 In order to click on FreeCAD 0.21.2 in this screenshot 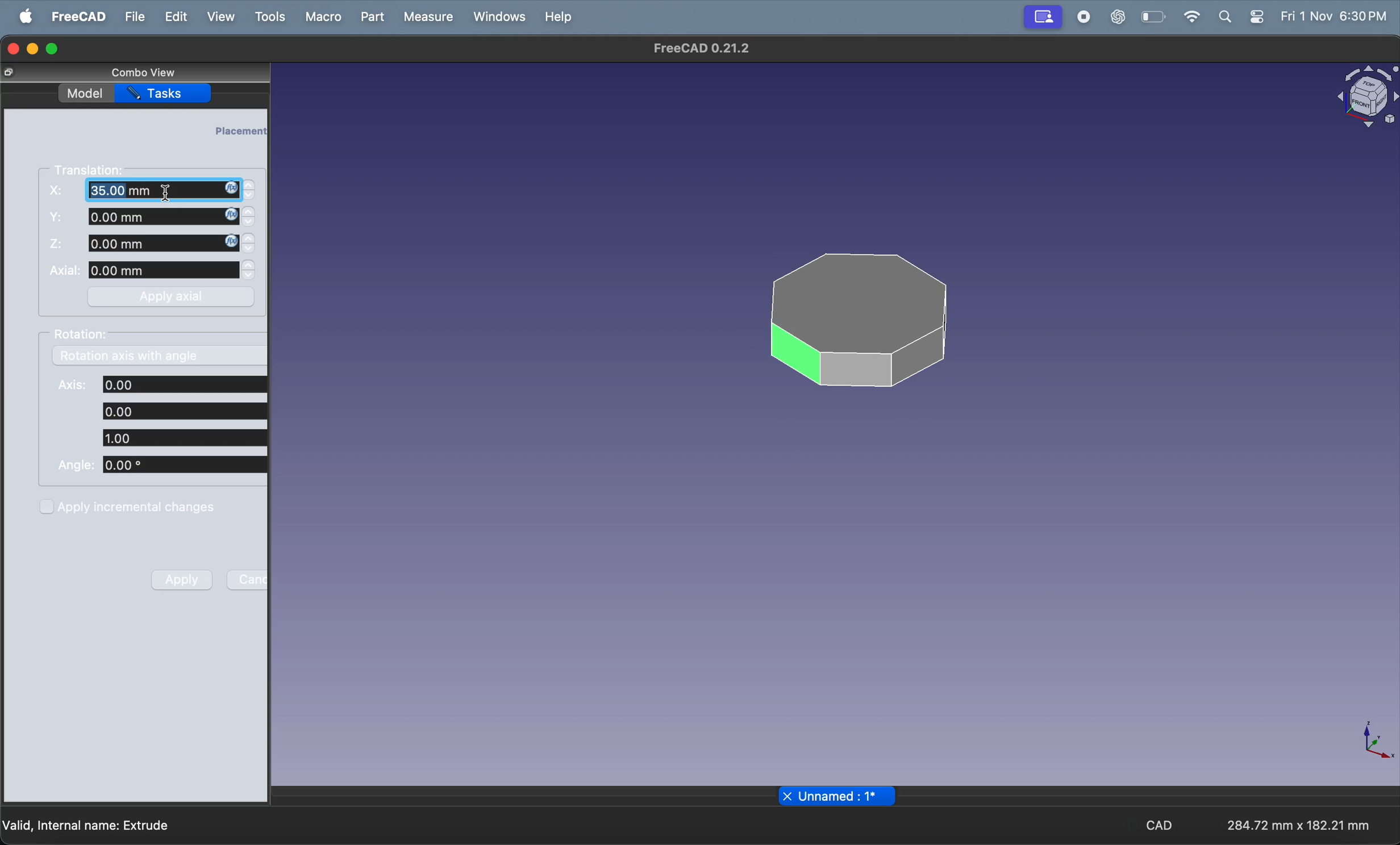, I will do `click(701, 50)`.